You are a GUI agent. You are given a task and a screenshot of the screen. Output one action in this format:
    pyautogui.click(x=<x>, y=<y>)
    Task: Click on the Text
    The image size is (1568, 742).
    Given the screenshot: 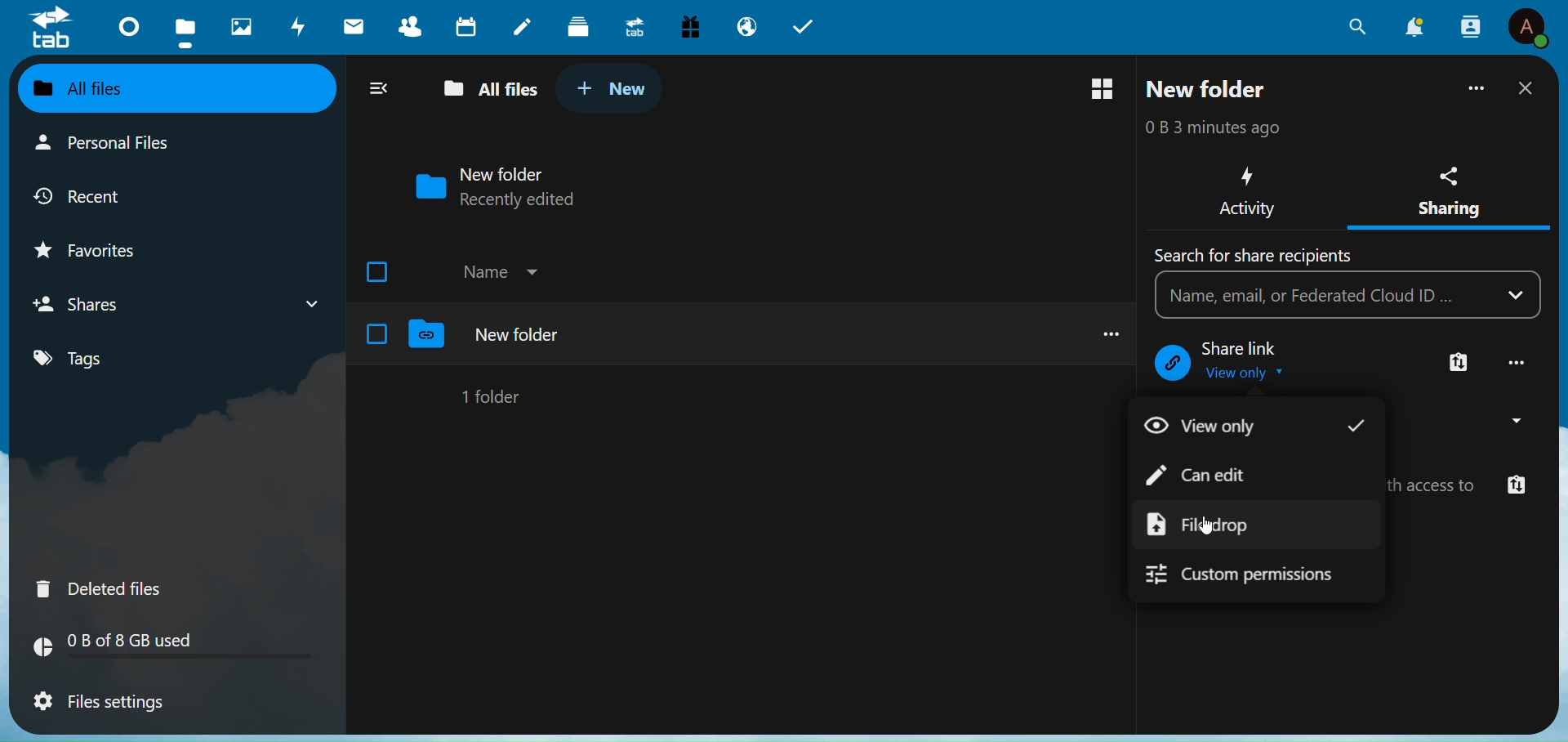 What is the action you would take?
    pyautogui.click(x=1247, y=348)
    